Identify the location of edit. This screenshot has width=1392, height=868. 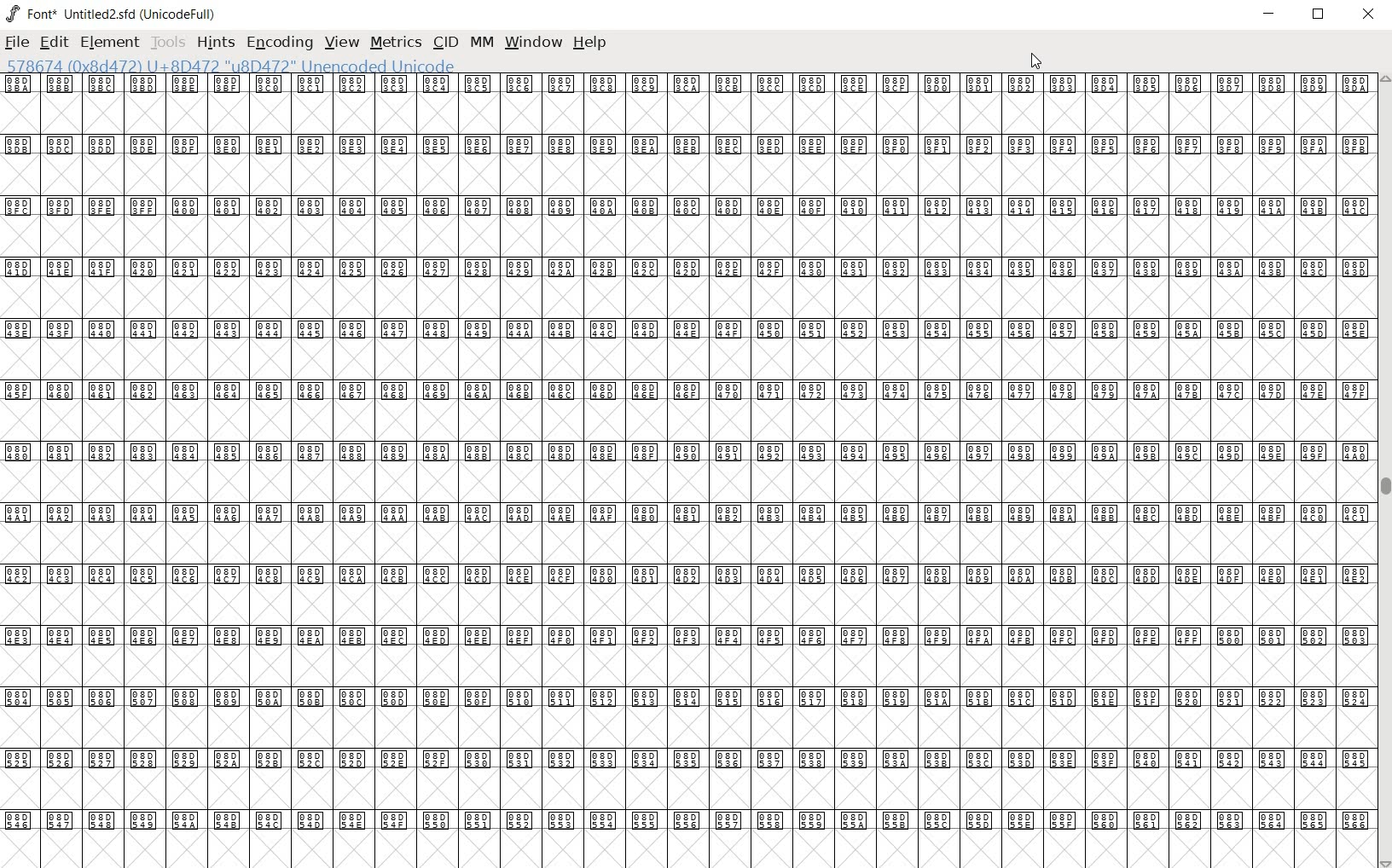
(55, 42).